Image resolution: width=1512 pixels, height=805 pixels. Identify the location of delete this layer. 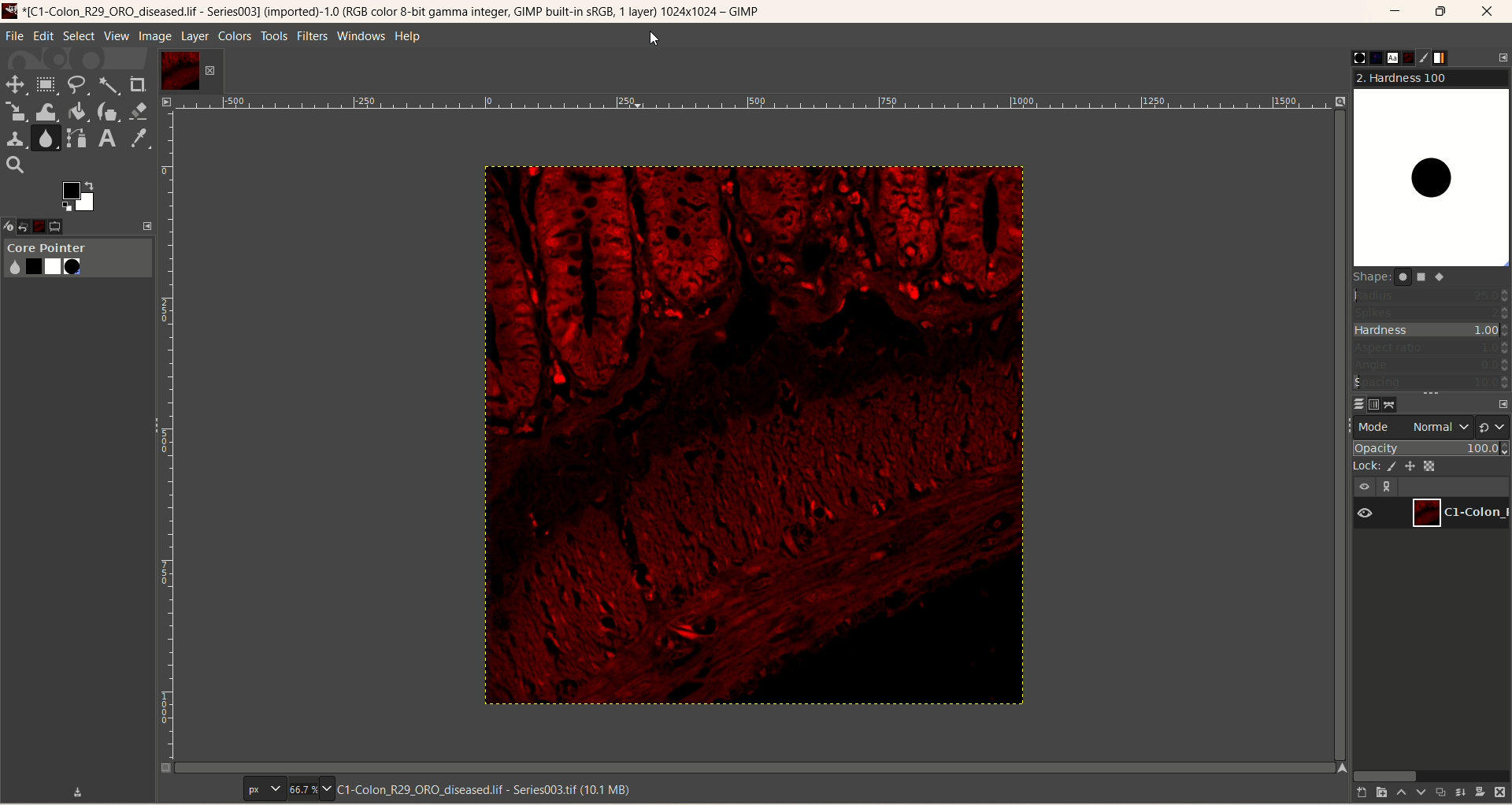
(1500, 792).